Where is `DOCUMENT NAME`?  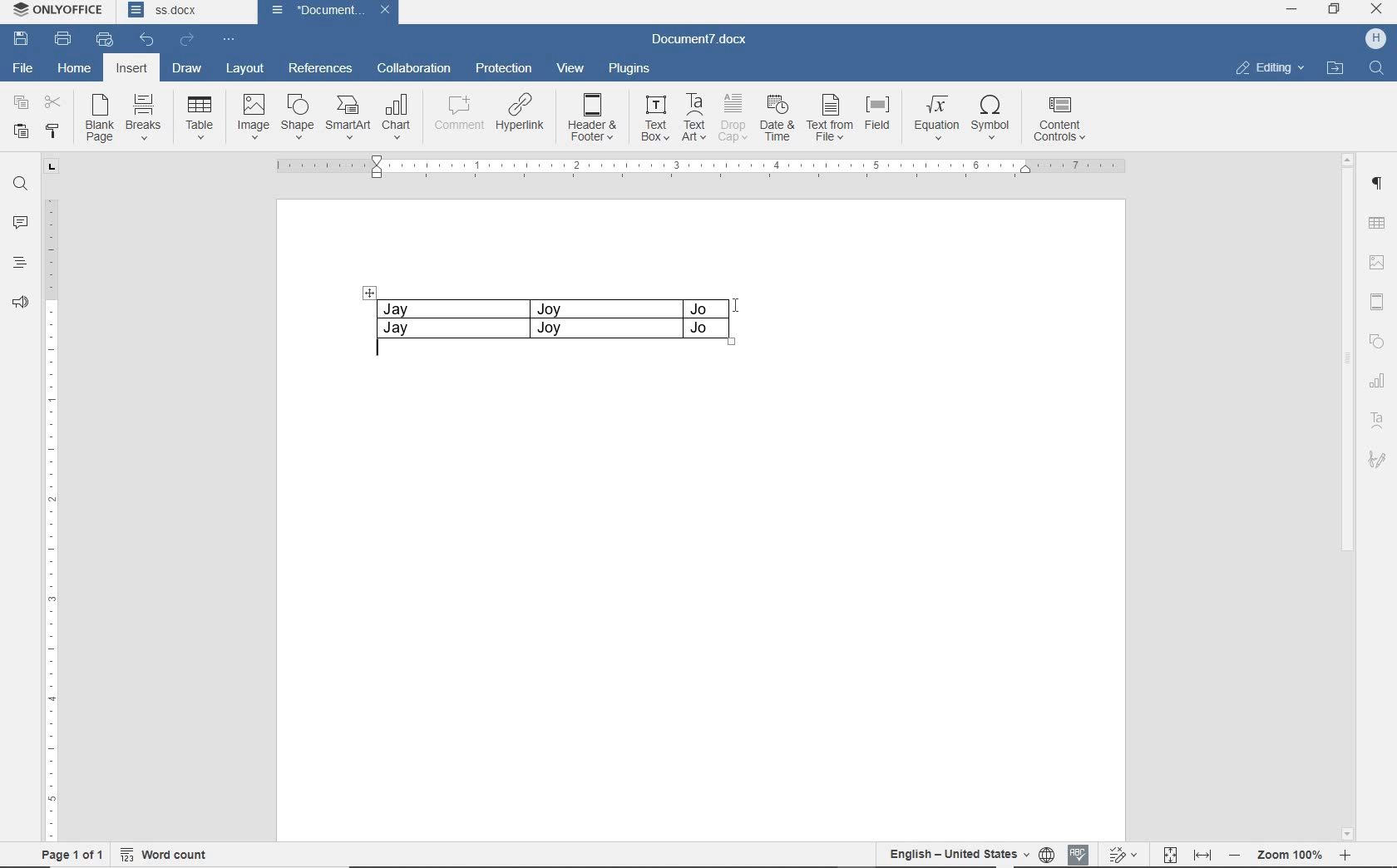 DOCUMENT NAME is located at coordinates (182, 12).